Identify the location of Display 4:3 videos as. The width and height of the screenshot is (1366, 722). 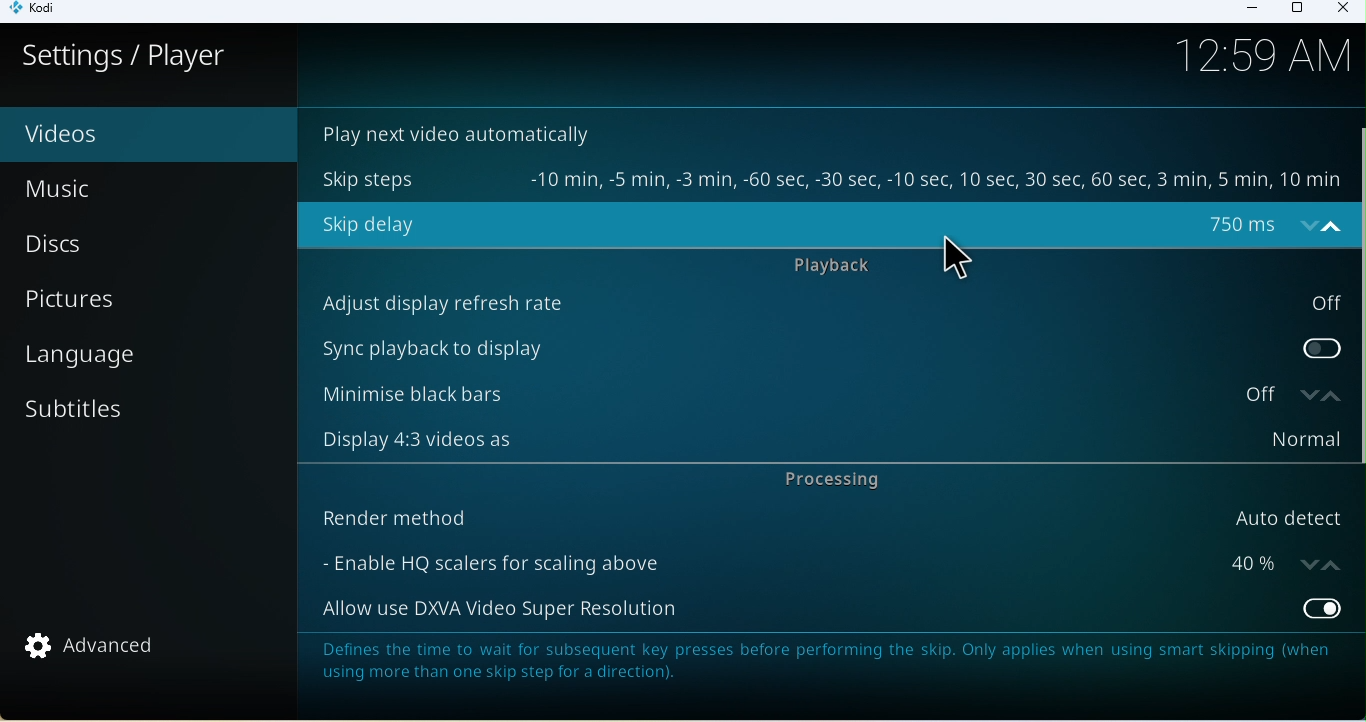
(821, 442).